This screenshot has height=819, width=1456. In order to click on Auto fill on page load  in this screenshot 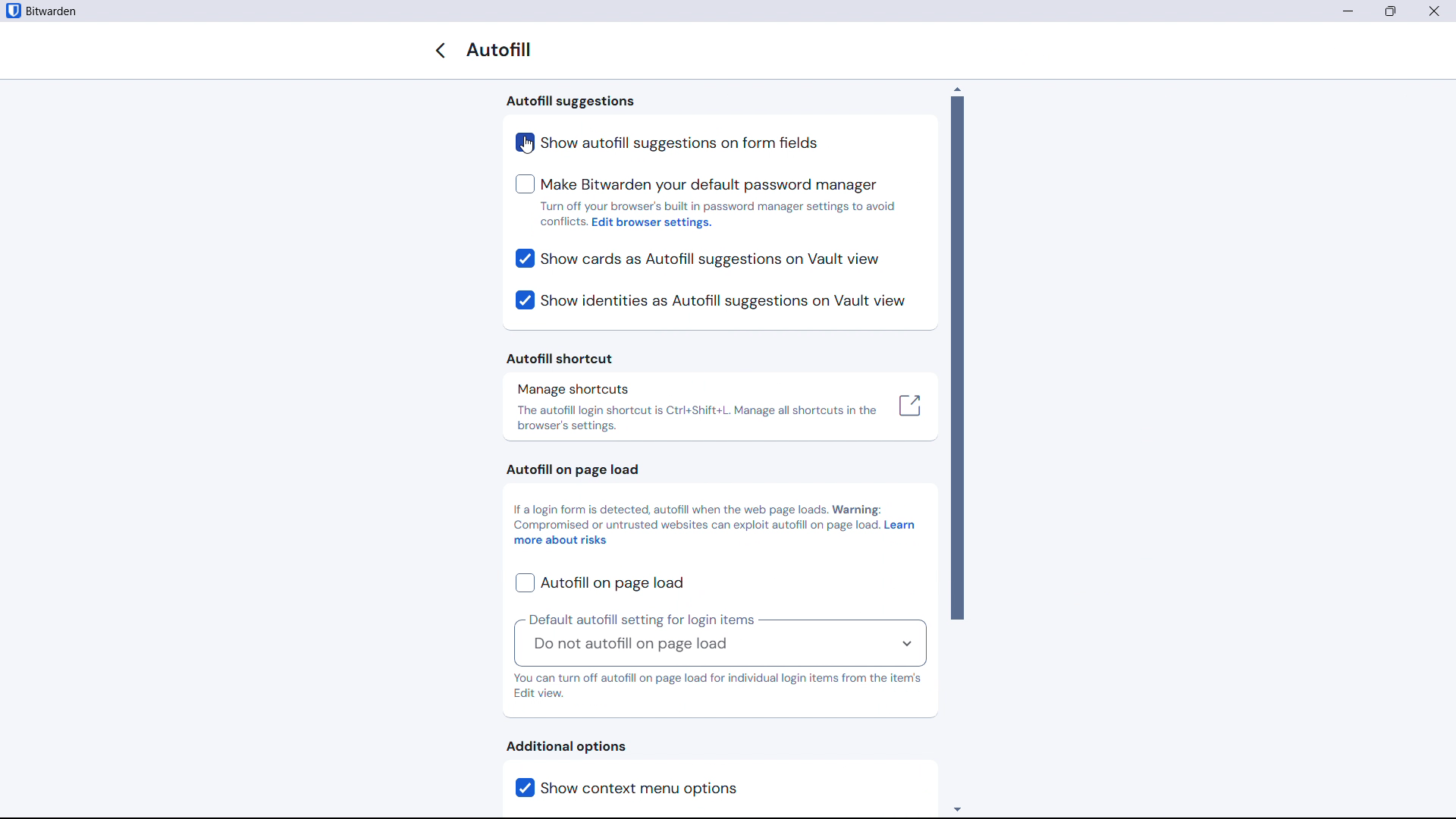, I will do `click(569, 470)`.